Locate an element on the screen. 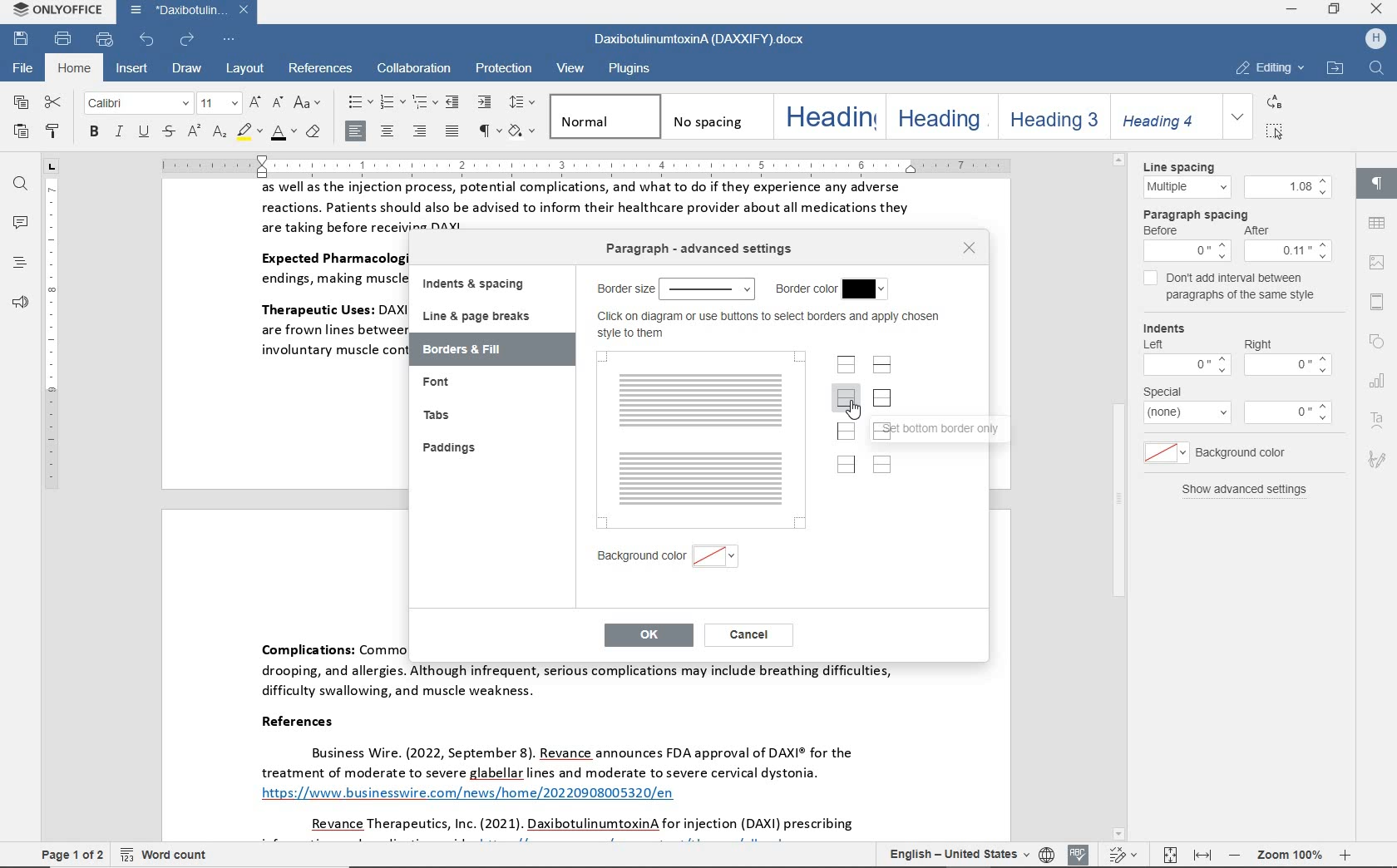 The image size is (1397, 868). heading 3 is located at coordinates (1051, 116).